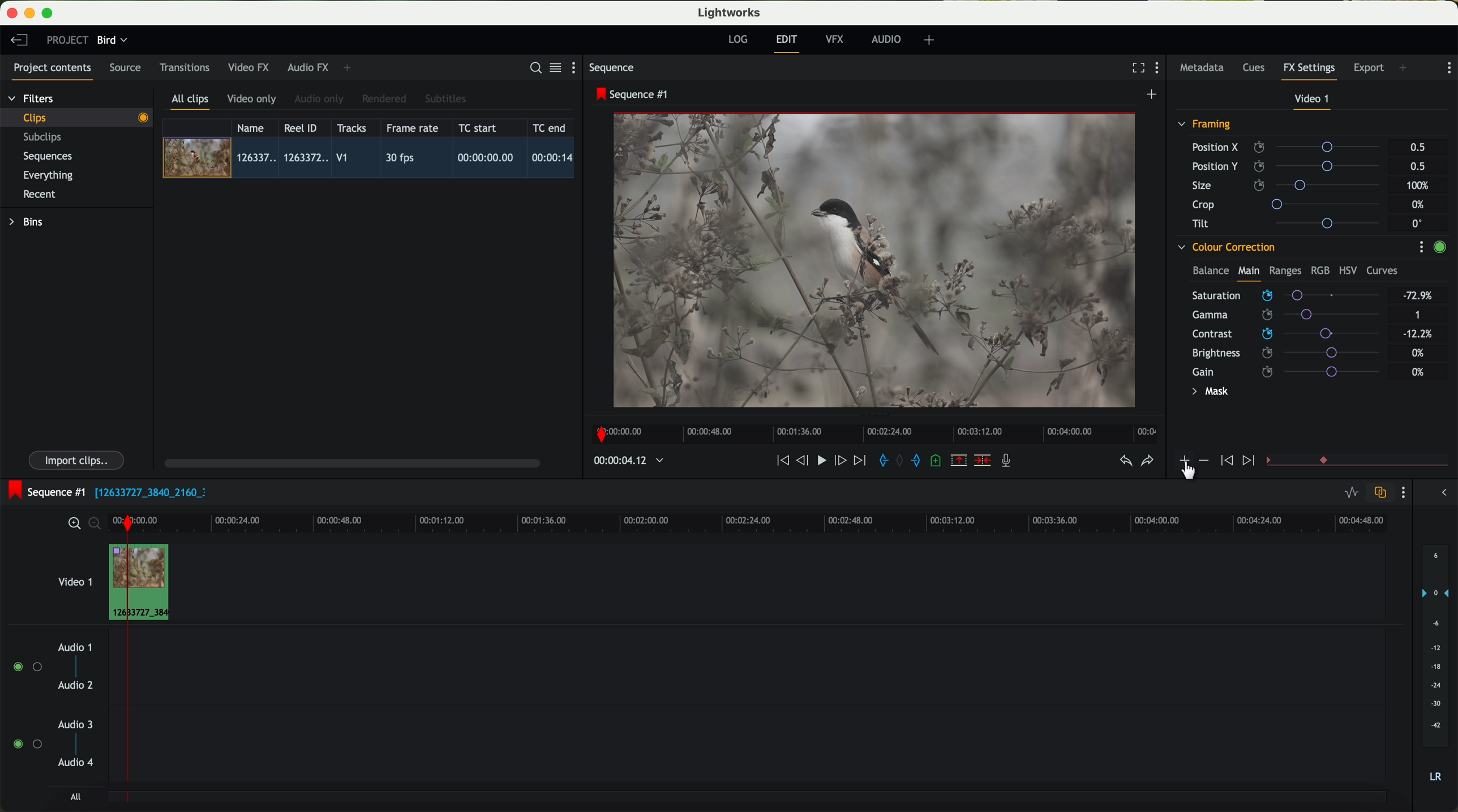 This screenshot has width=1458, height=812. What do you see at coordinates (78, 459) in the screenshot?
I see `import clips` at bounding box center [78, 459].